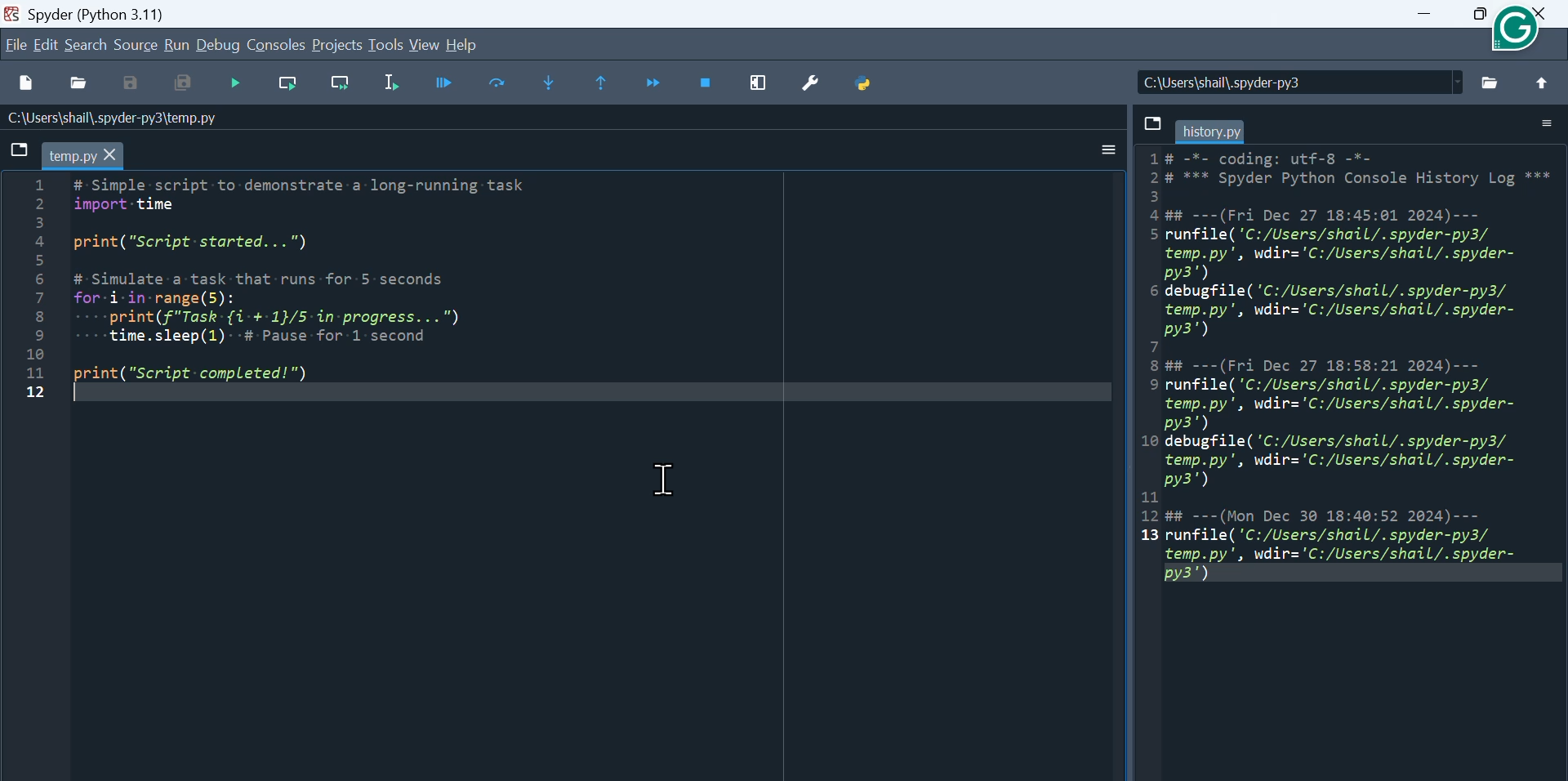 The height and width of the screenshot is (781, 1568). Describe the element at coordinates (1213, 133) in the screenshot. I see `history.py` at that location.